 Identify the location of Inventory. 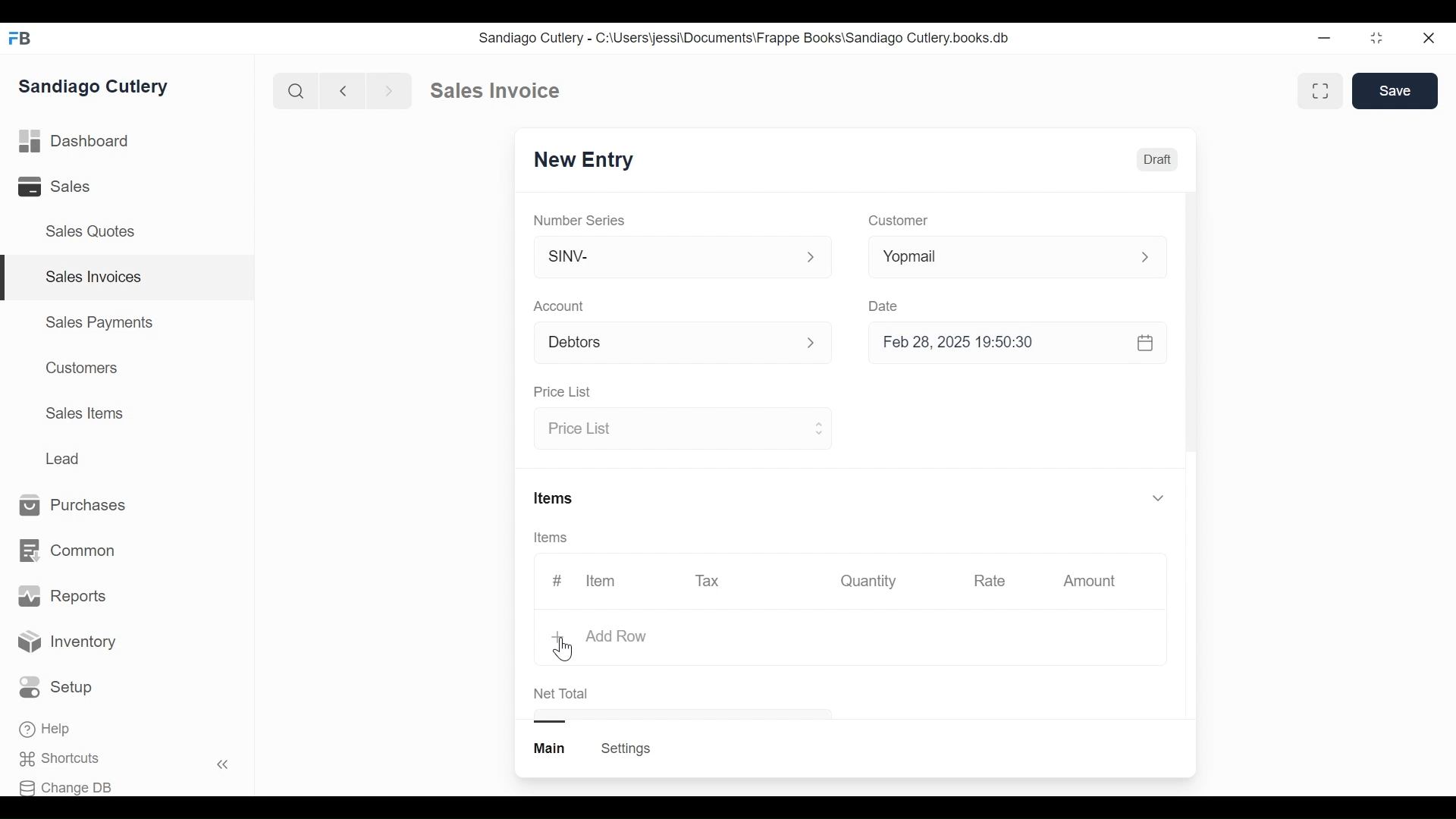
(67, 644).